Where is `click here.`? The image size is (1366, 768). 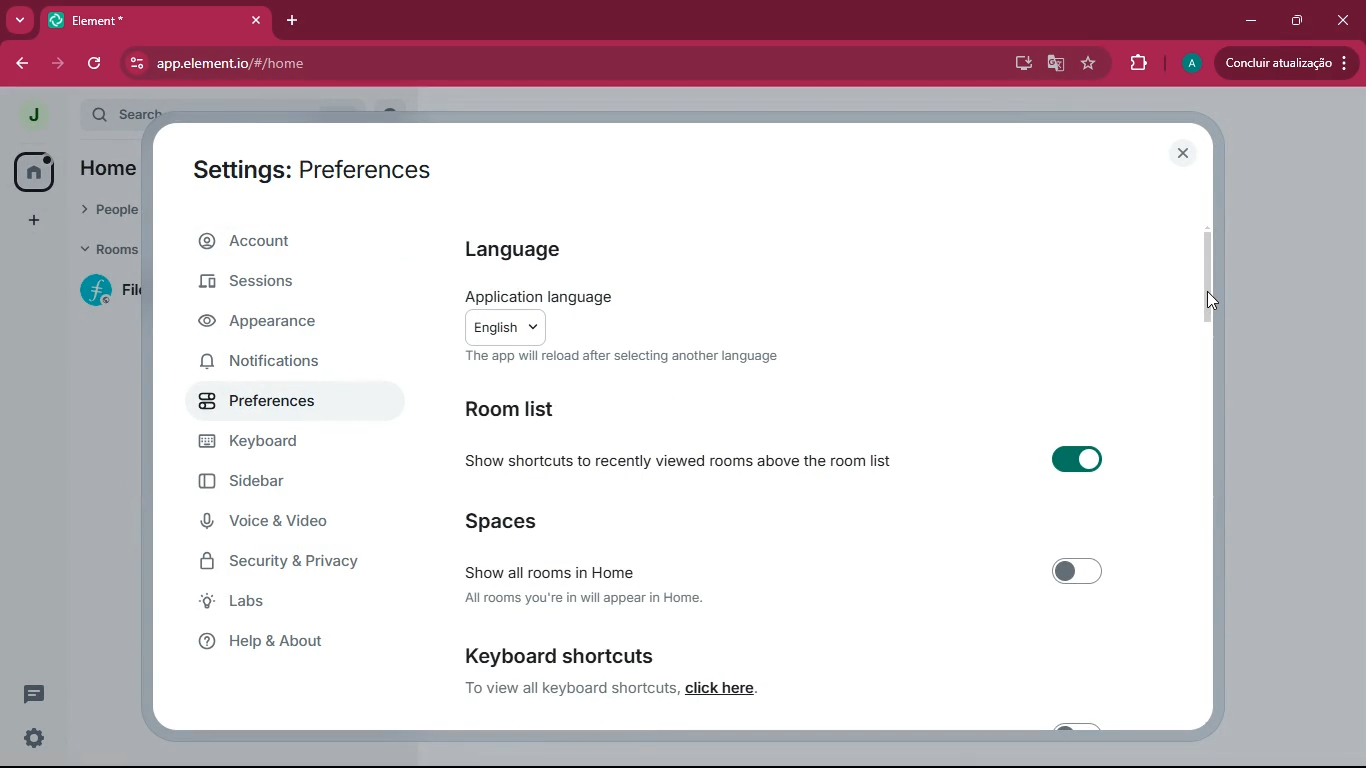
click here. is located at coordinates (723, 688).